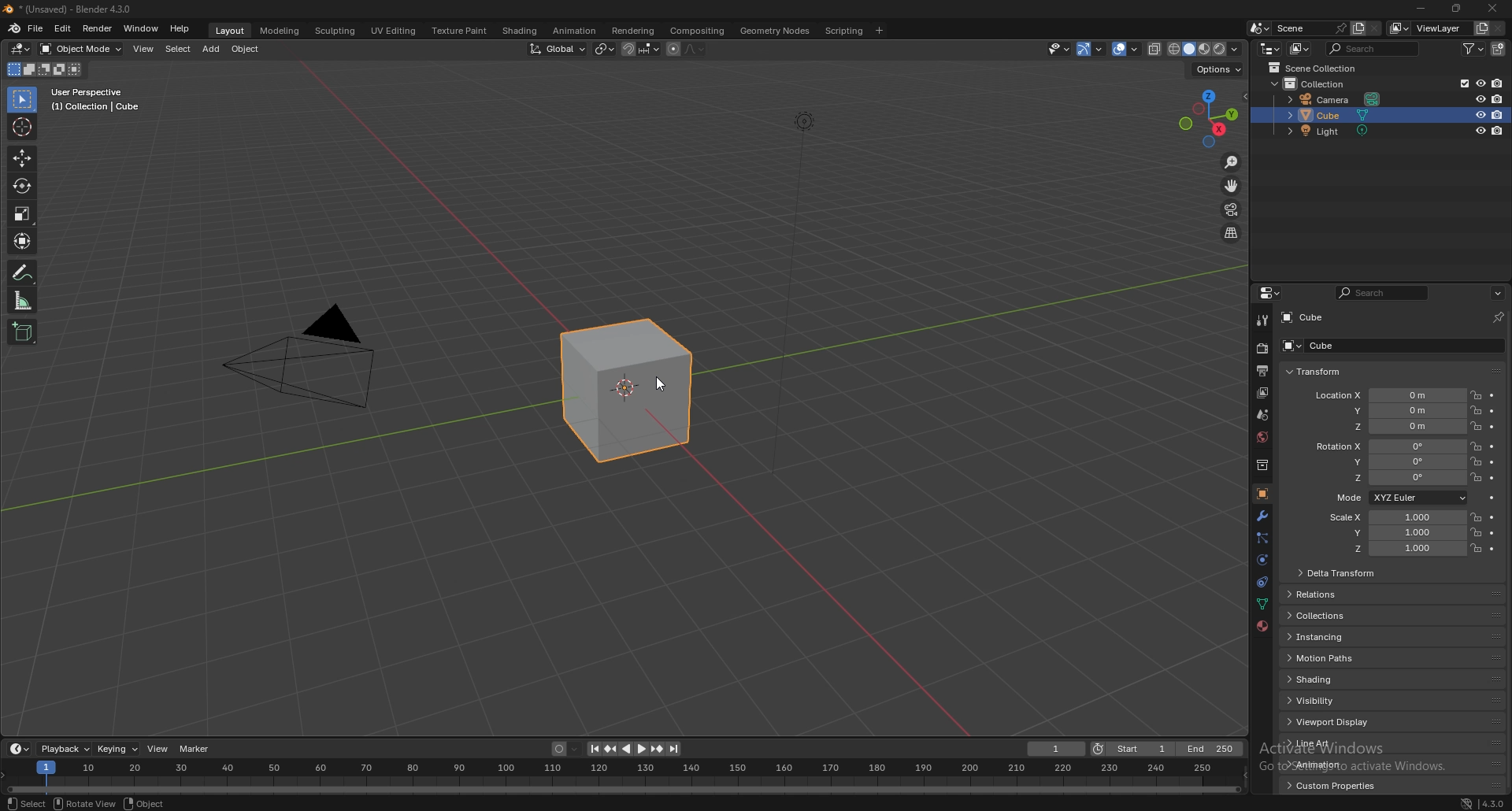 Image resolution: width=1512 pixels, height=811 pixels. Describe the element at coordinates (1475, 48) in the screenshot. I see `filter` at that location.